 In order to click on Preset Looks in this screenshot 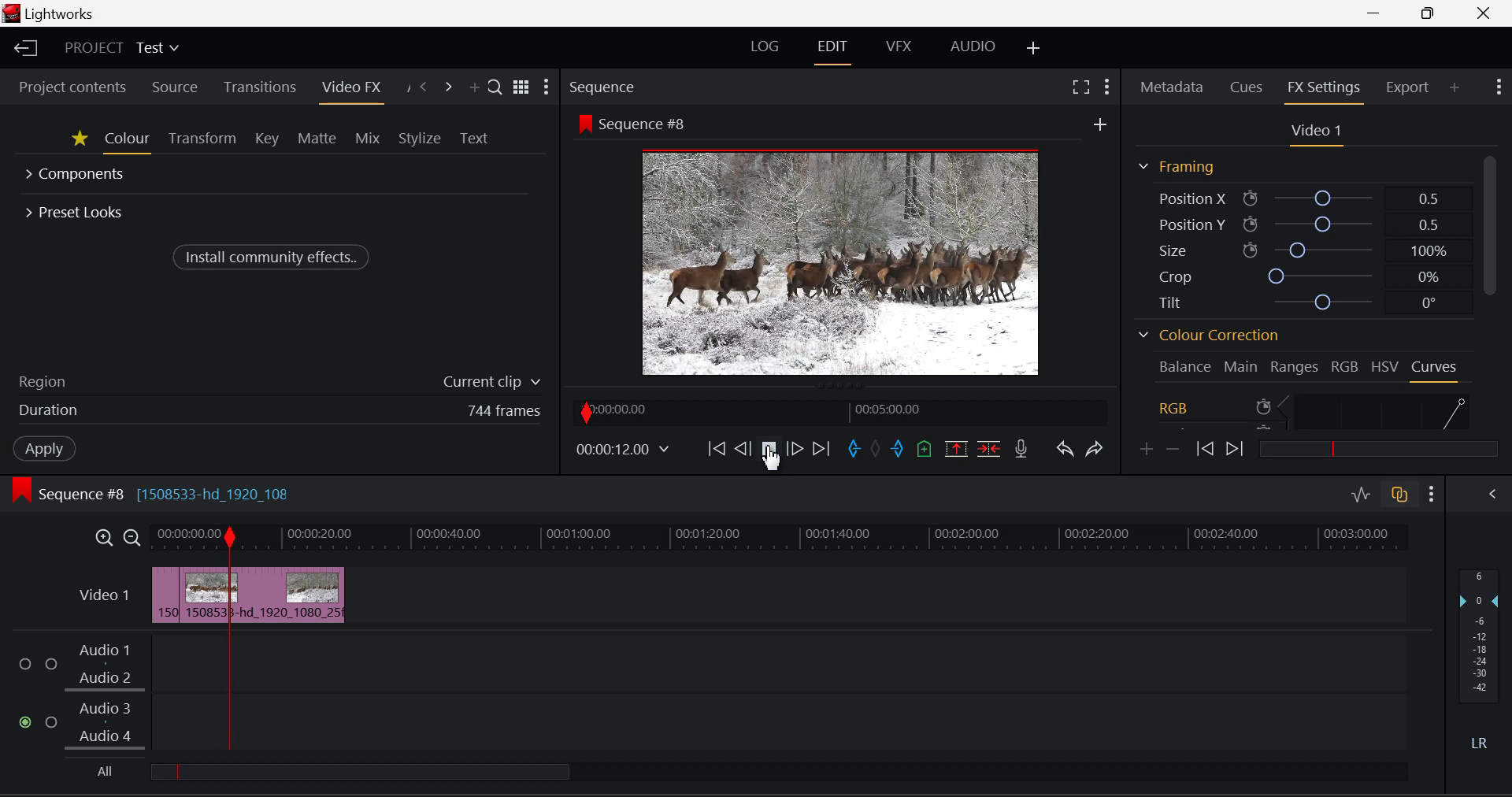, I will do `click(76, 210)`.